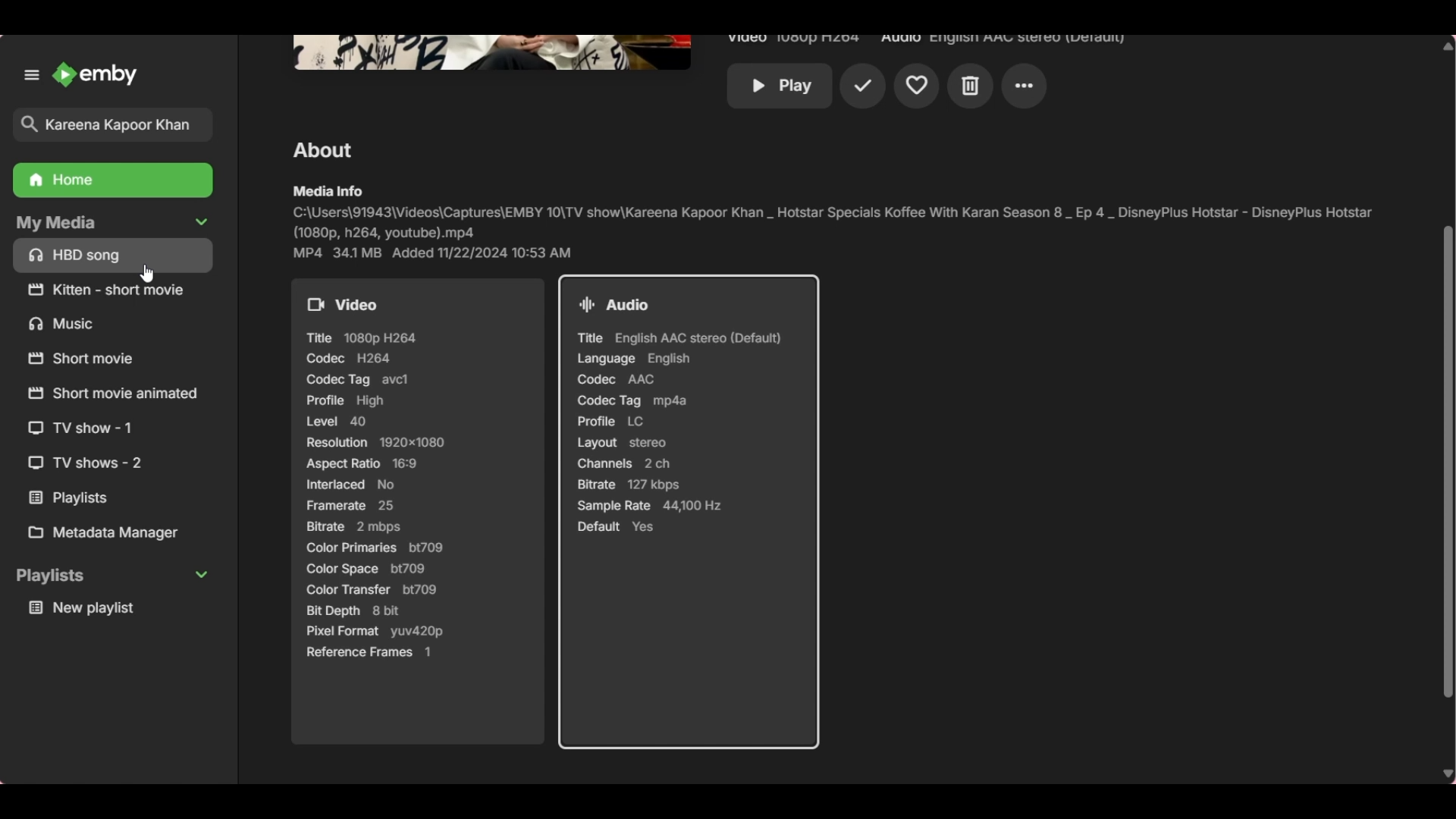  I want to click on , so click(915, 84).